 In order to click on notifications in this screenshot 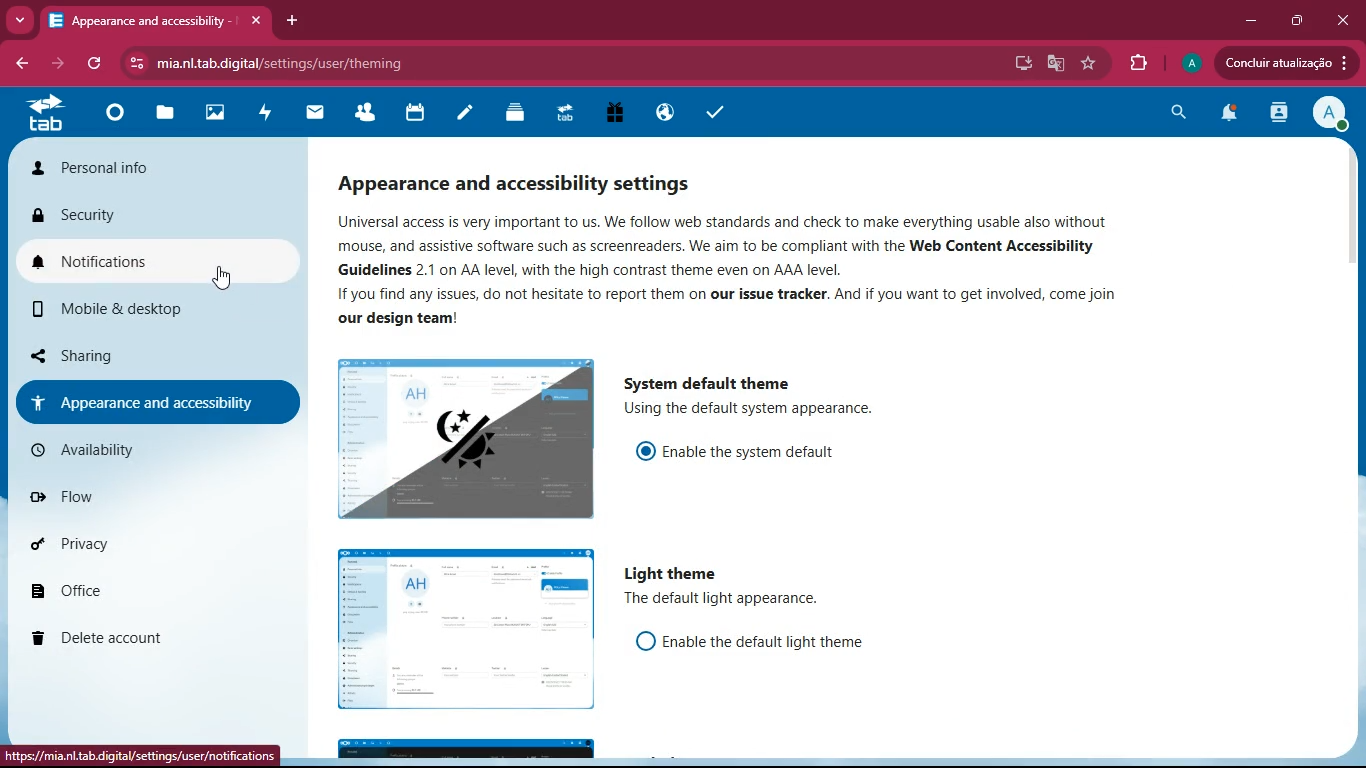, I will do `click(1233, 115)`.